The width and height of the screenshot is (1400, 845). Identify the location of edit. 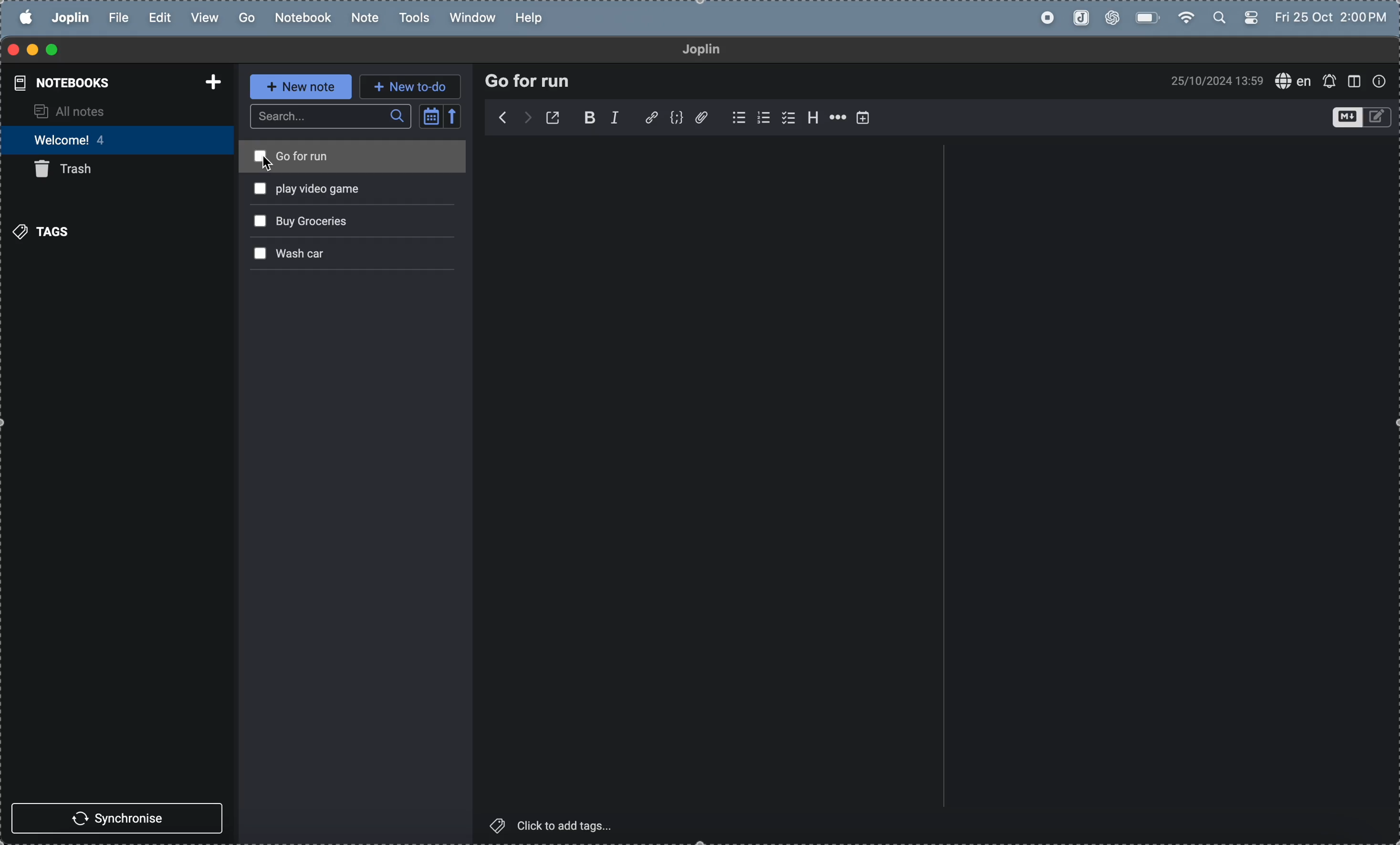
(155, 18).